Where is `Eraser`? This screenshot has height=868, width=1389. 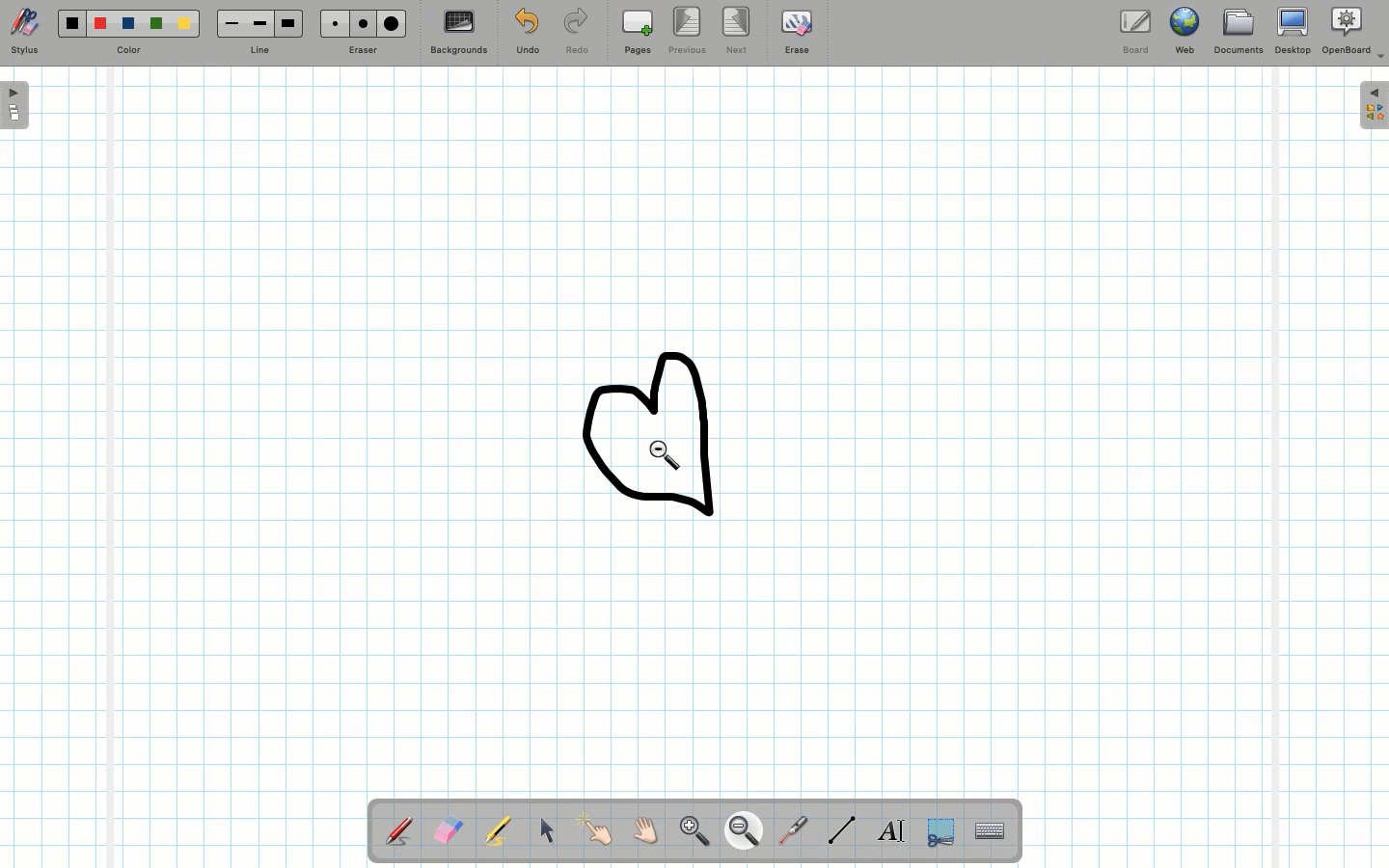 Eraser is located at coordinates (448, 830).